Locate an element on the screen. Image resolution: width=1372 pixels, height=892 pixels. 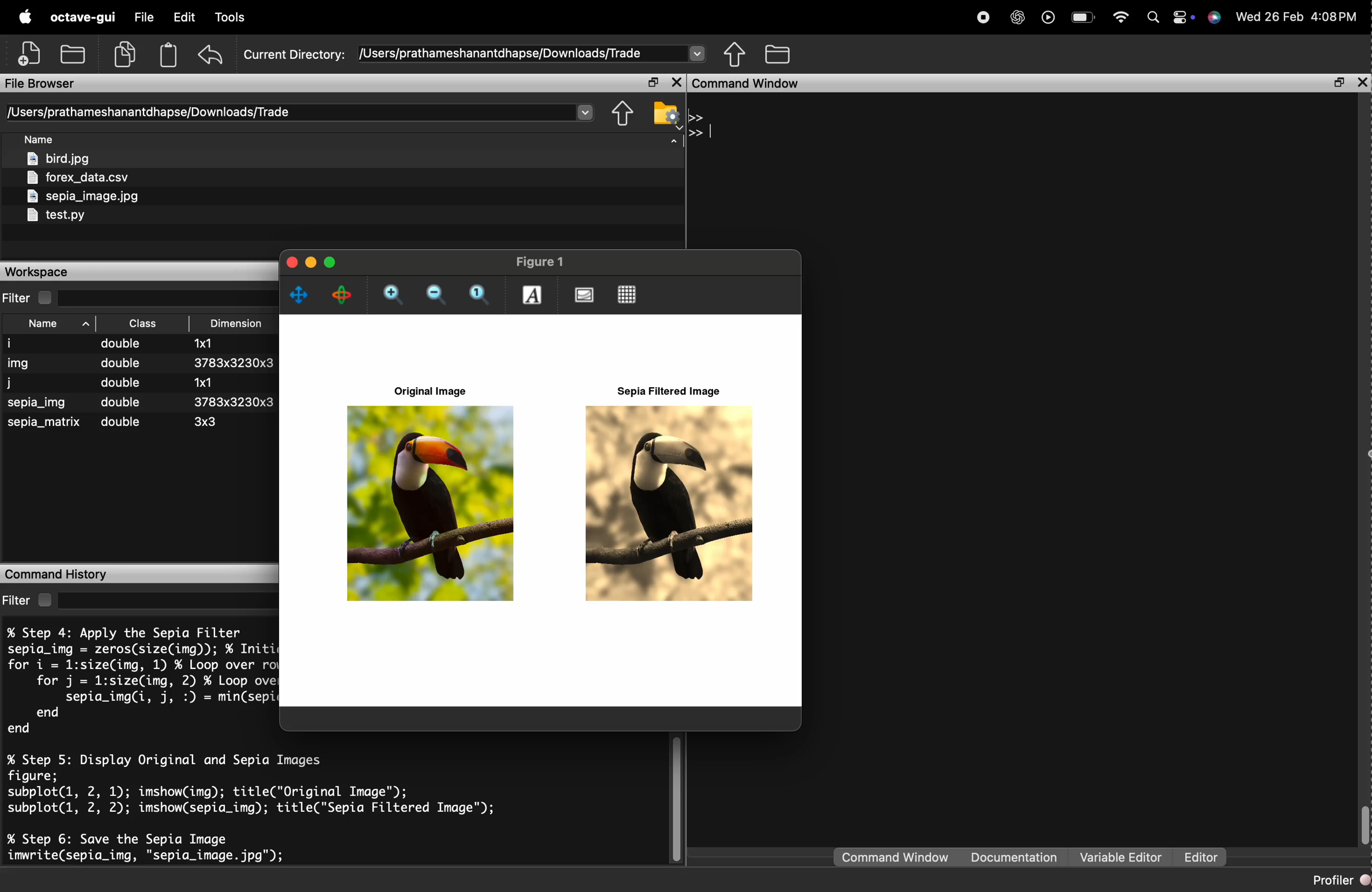
Debug is located at coordinates (233, 17).